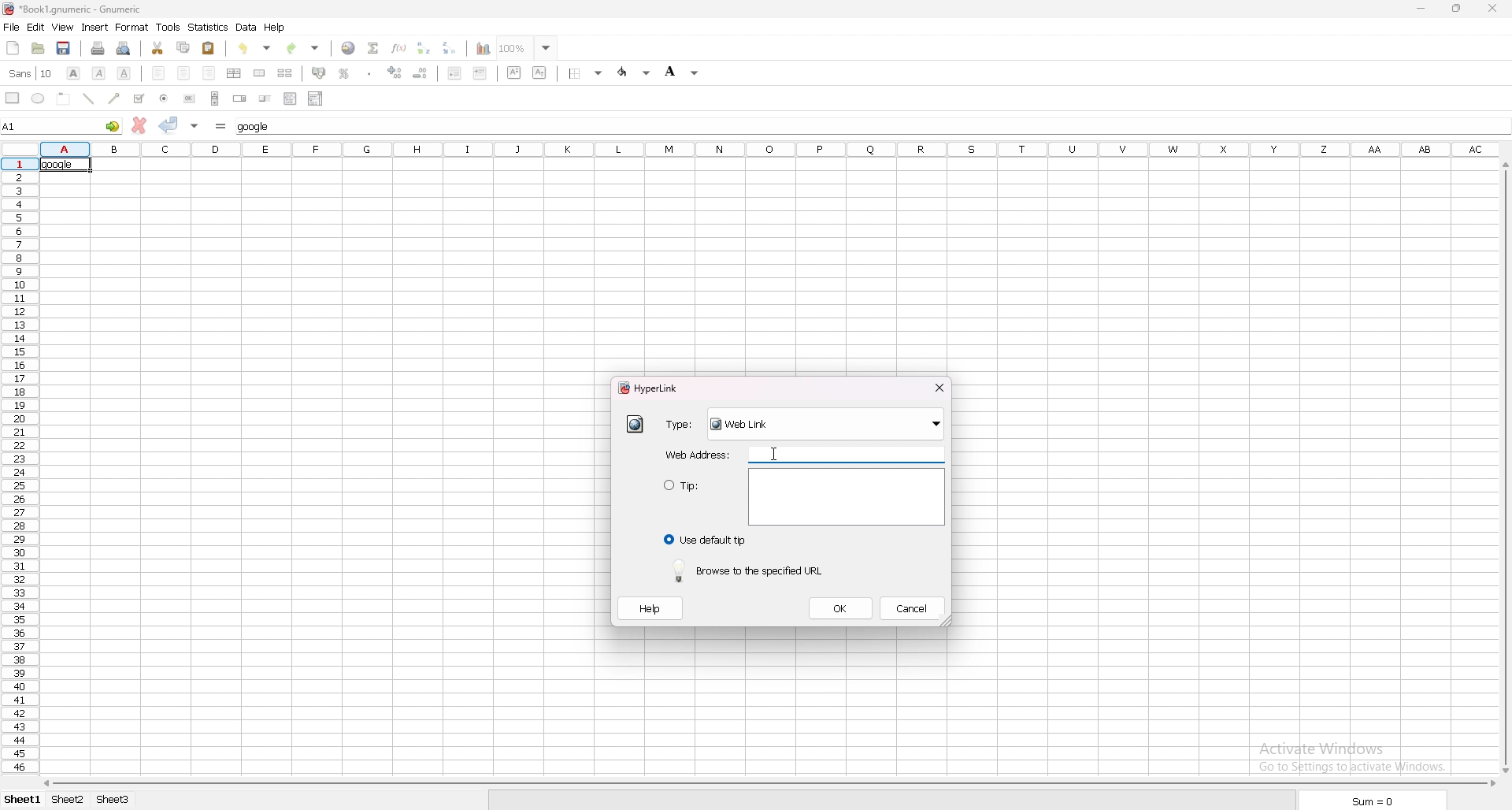 The width and height of the screenshot is (1512, 810). I want to click on accept changes in multple cell, so click(196, 126).